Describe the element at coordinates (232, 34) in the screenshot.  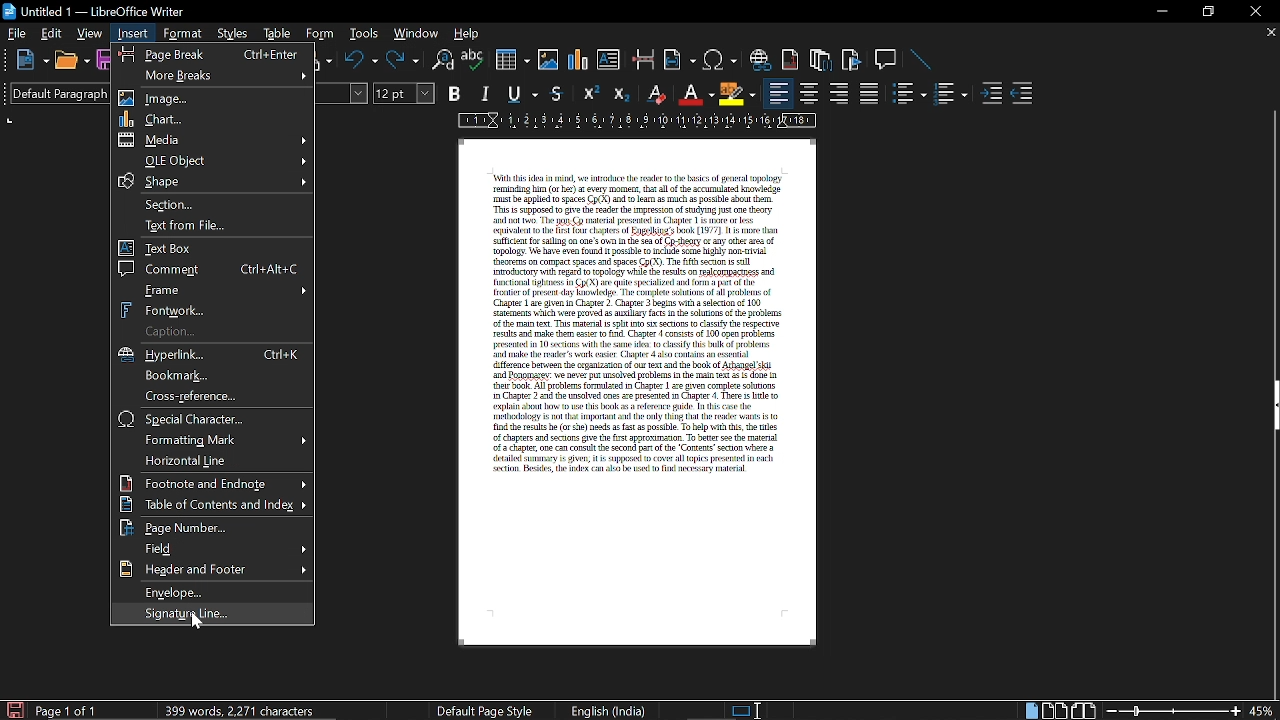
I see `styles` at that location.